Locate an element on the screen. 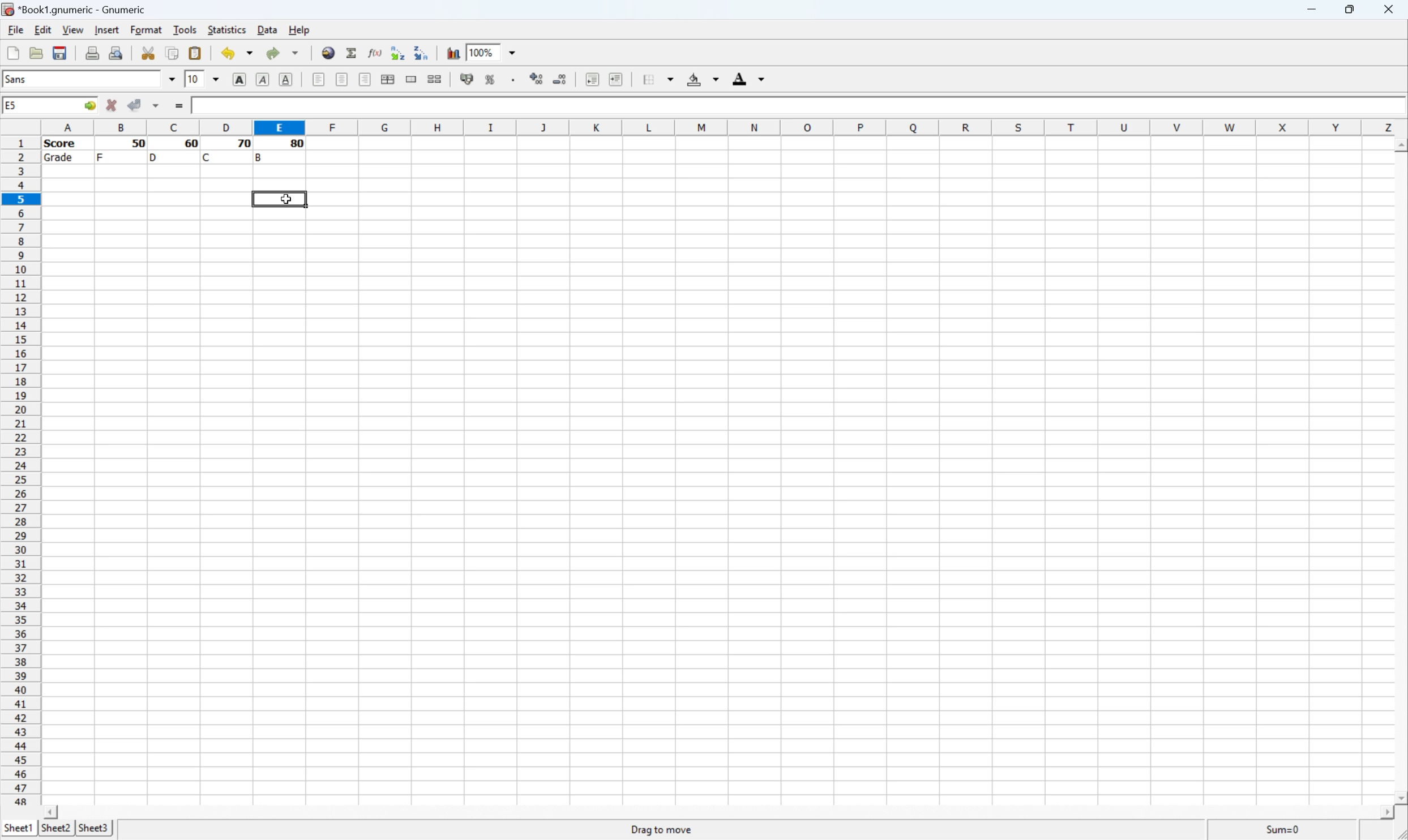  Cancel change is located at coordinates (114, 106).